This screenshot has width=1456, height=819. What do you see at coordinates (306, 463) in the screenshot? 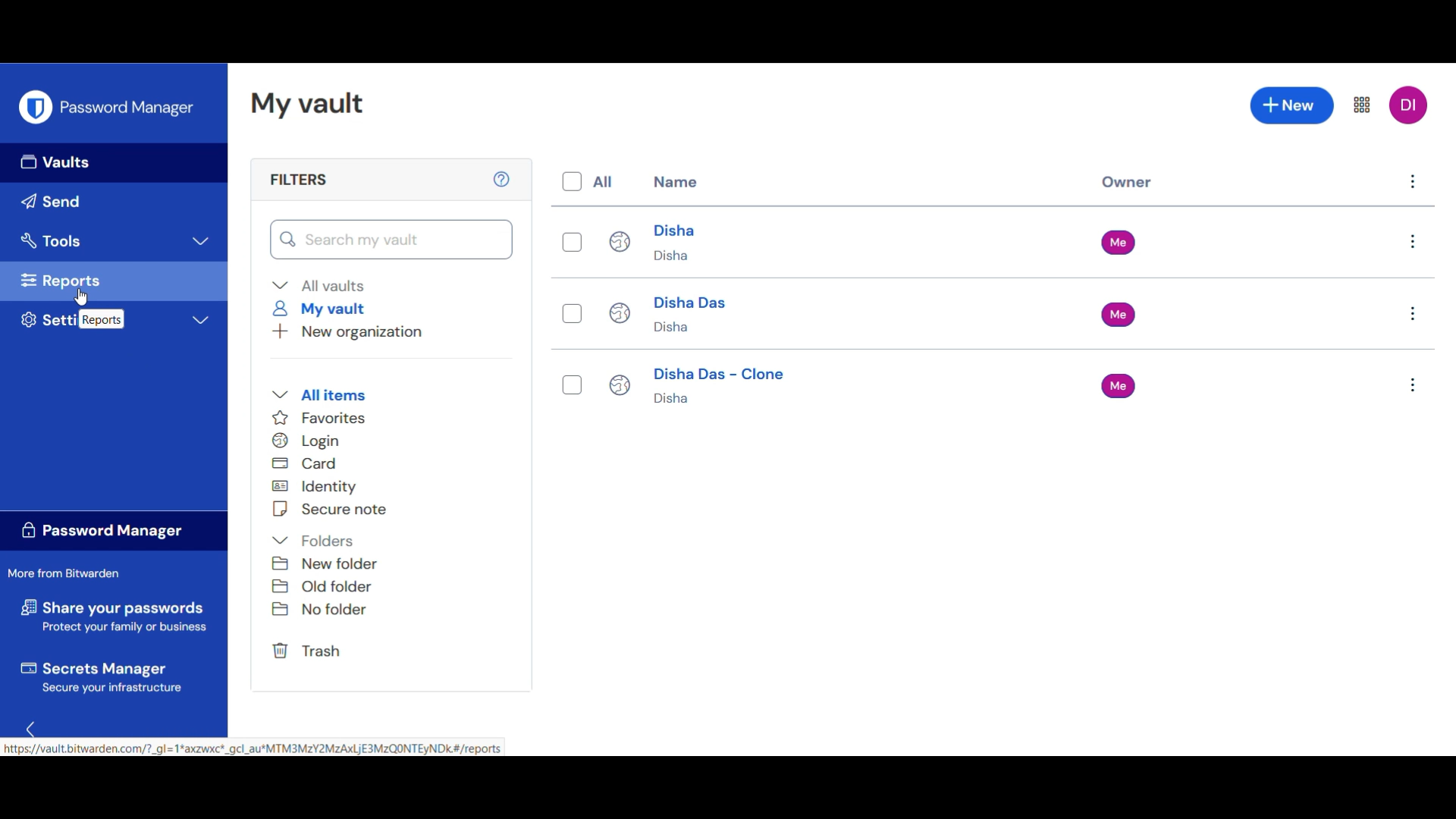
I see `Card` at bounding box center [306, 463].